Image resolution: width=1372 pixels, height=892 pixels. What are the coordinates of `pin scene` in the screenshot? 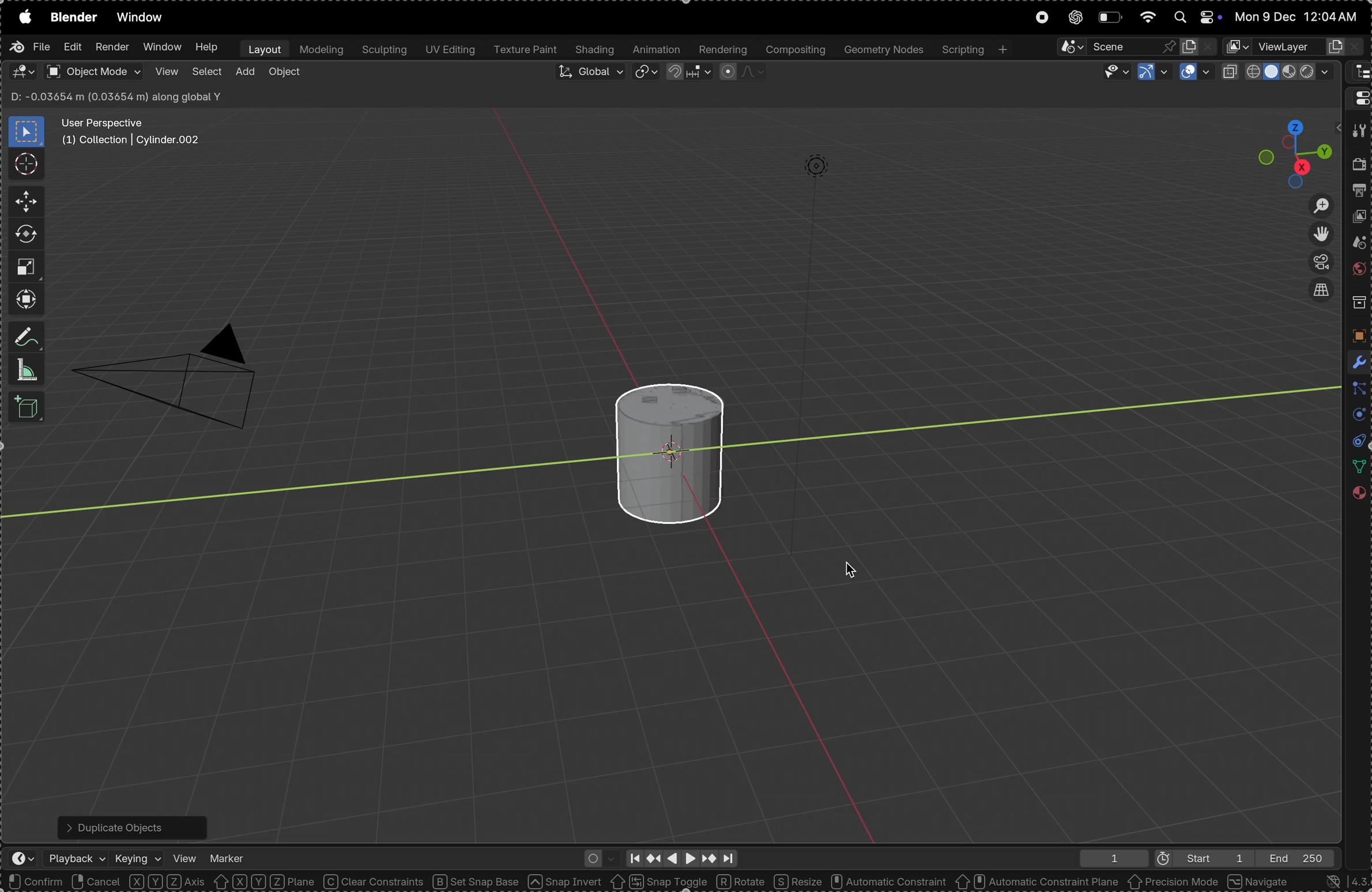 It's located at (1113, 46).